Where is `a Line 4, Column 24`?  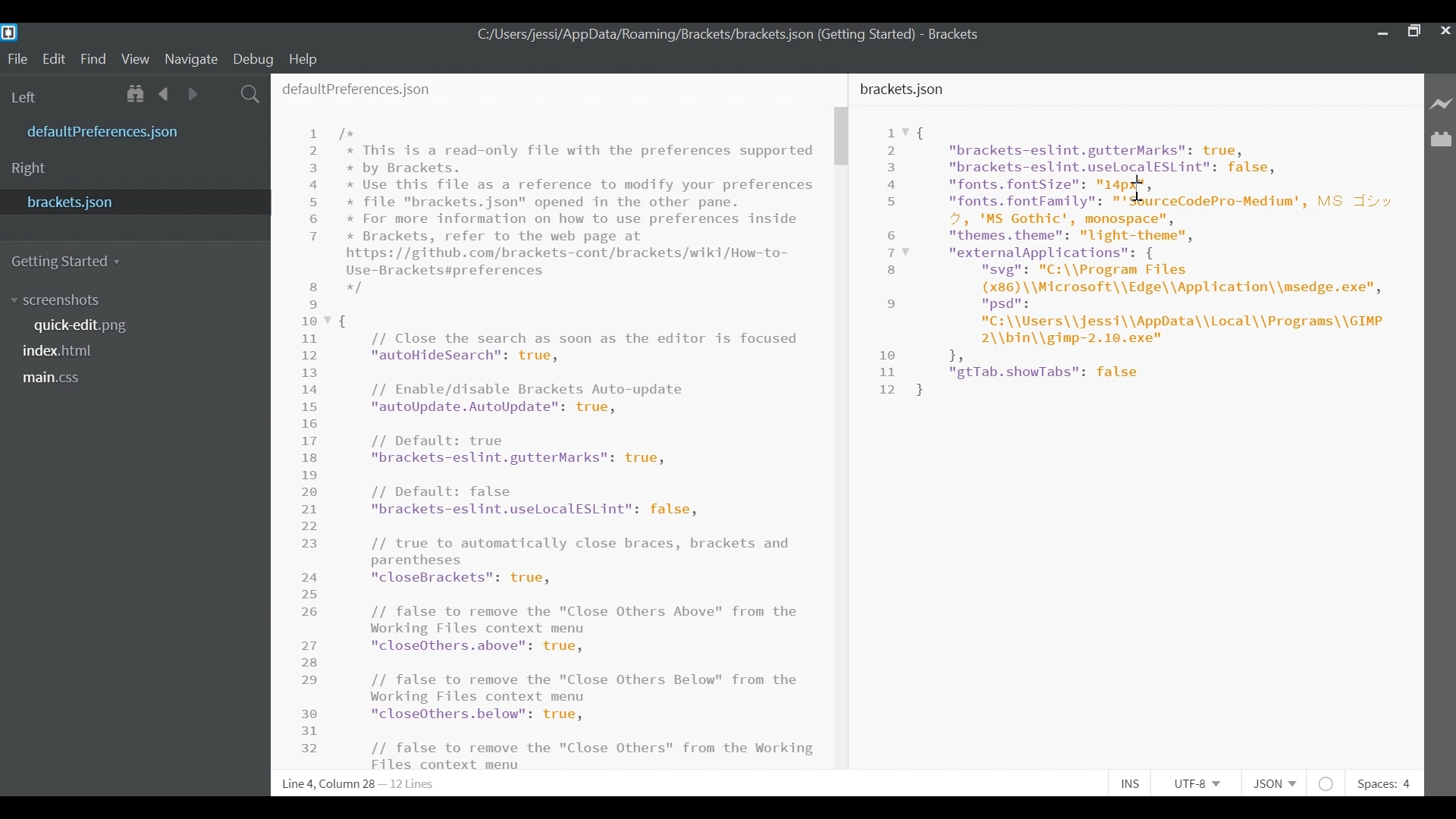 a Line 4, Column 24 is located at coordinates (361, 784).